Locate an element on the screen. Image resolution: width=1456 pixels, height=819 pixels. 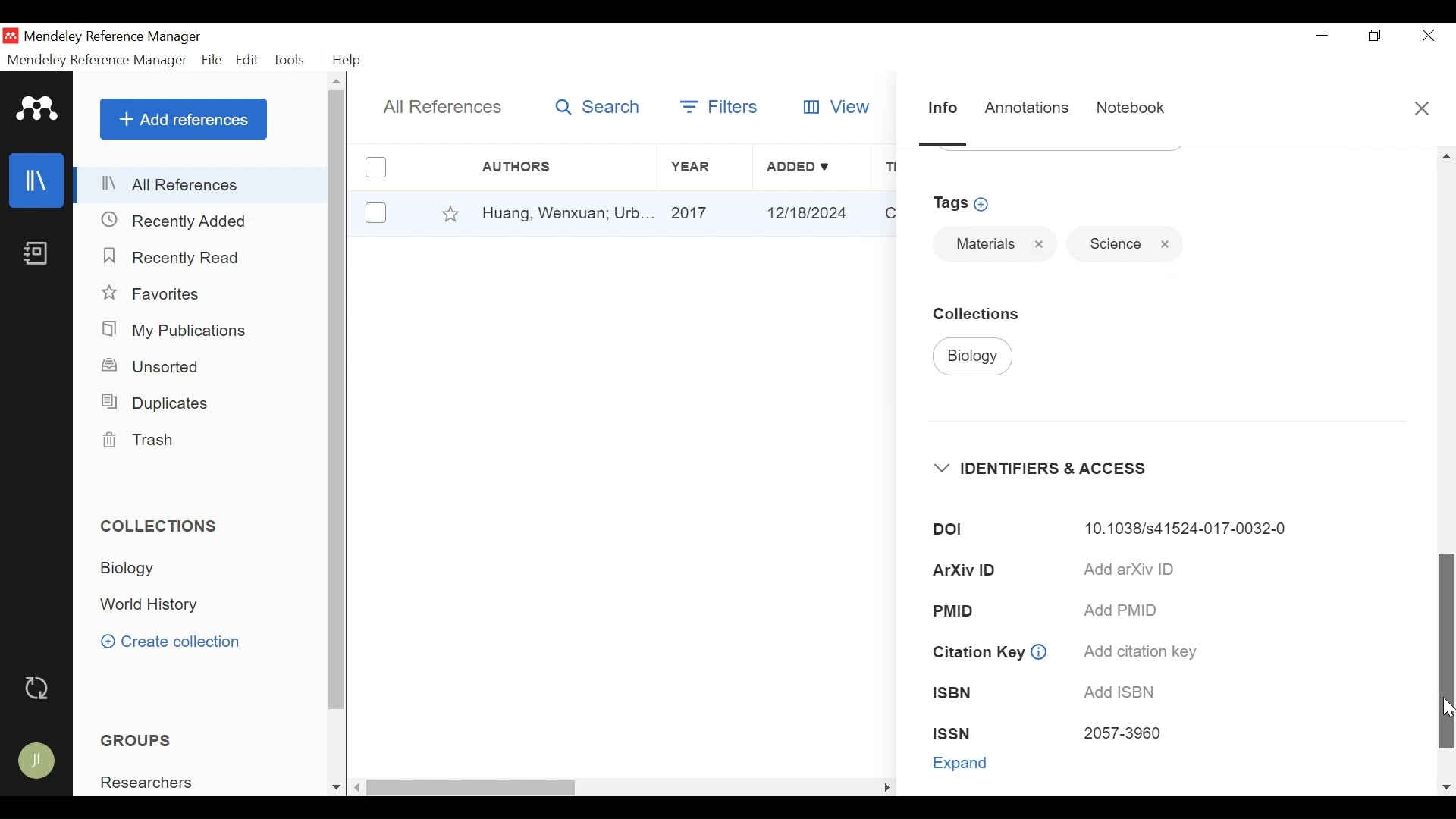
Scroll down is located at coordinates (334, 787).